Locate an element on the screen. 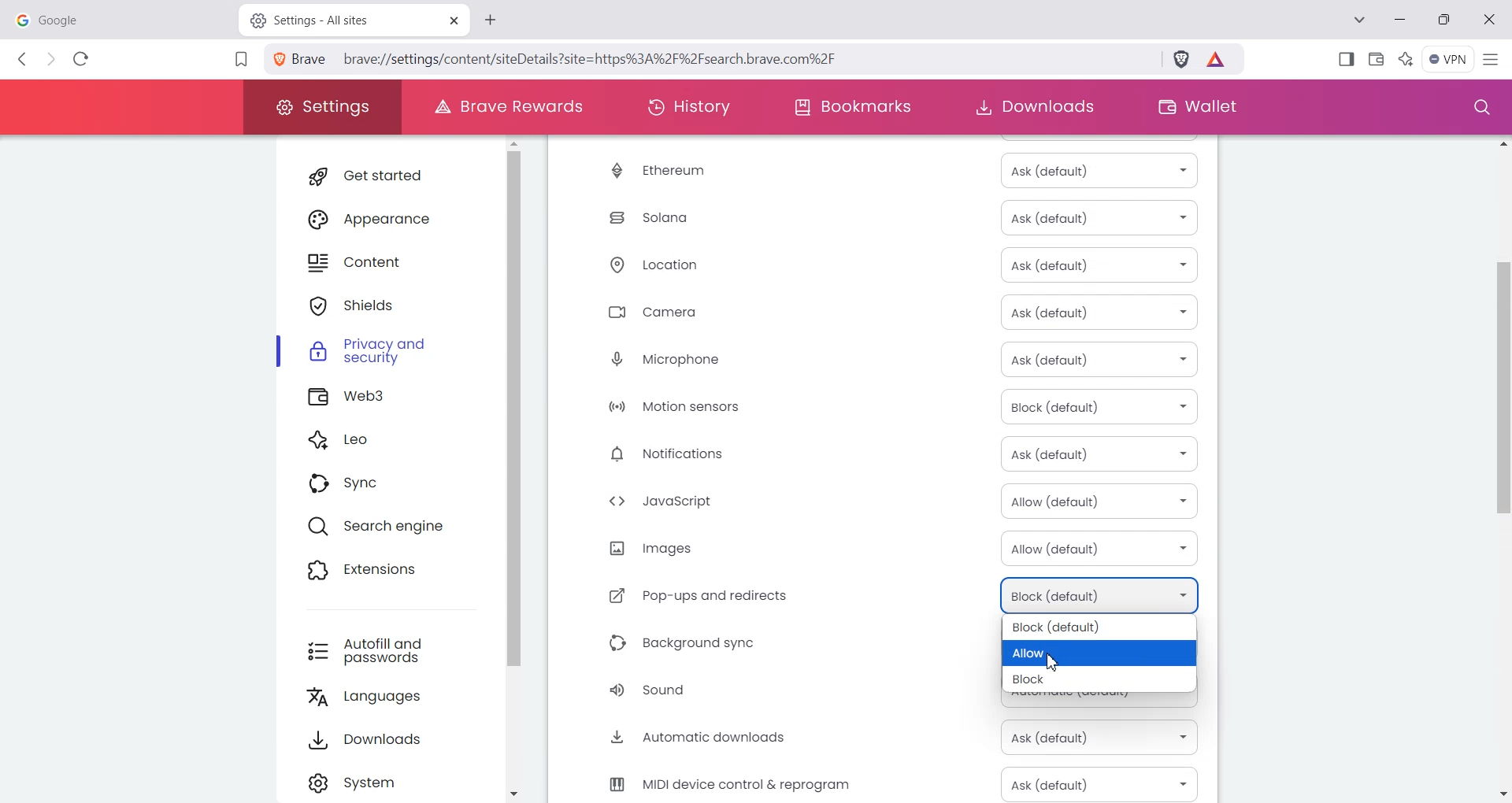 The height and width of the screenshot is (803, 1512). Show Sidebar is located at coordinates (1347, 58).